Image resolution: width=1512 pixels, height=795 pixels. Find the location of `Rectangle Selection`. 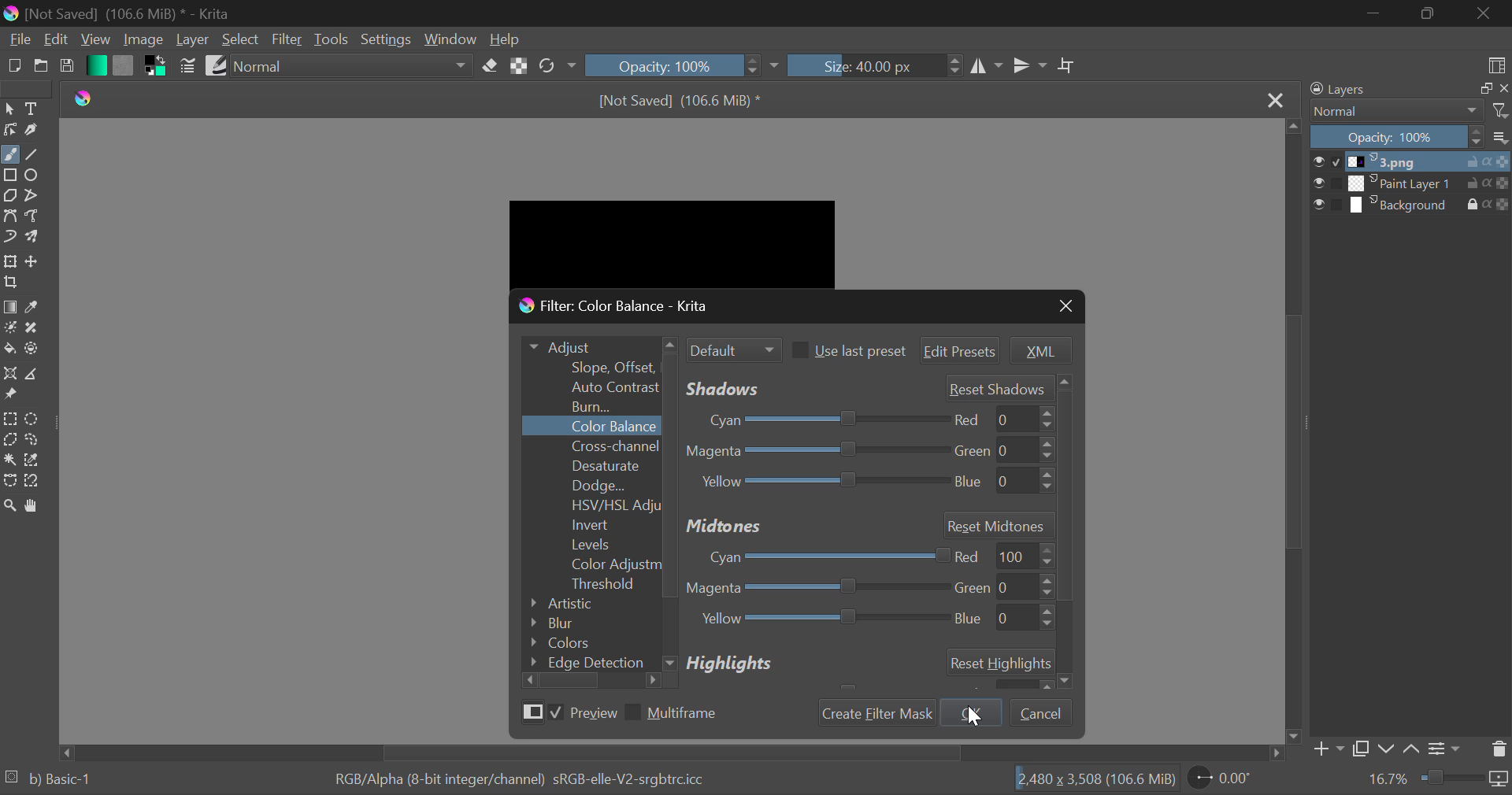

Rectangle Selection is located at coordinates (9, 419).